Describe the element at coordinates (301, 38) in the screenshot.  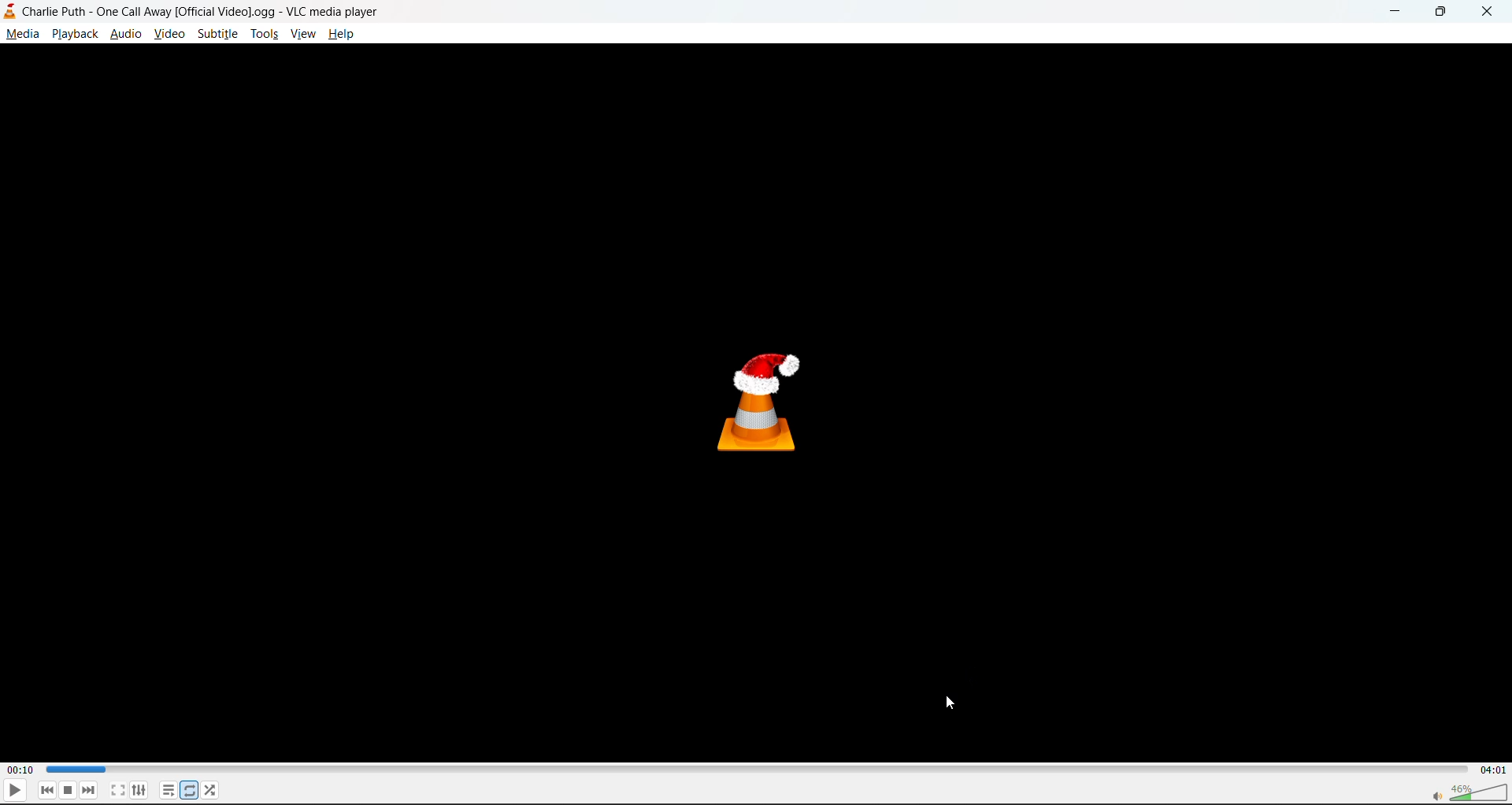
I see `view` at that location.